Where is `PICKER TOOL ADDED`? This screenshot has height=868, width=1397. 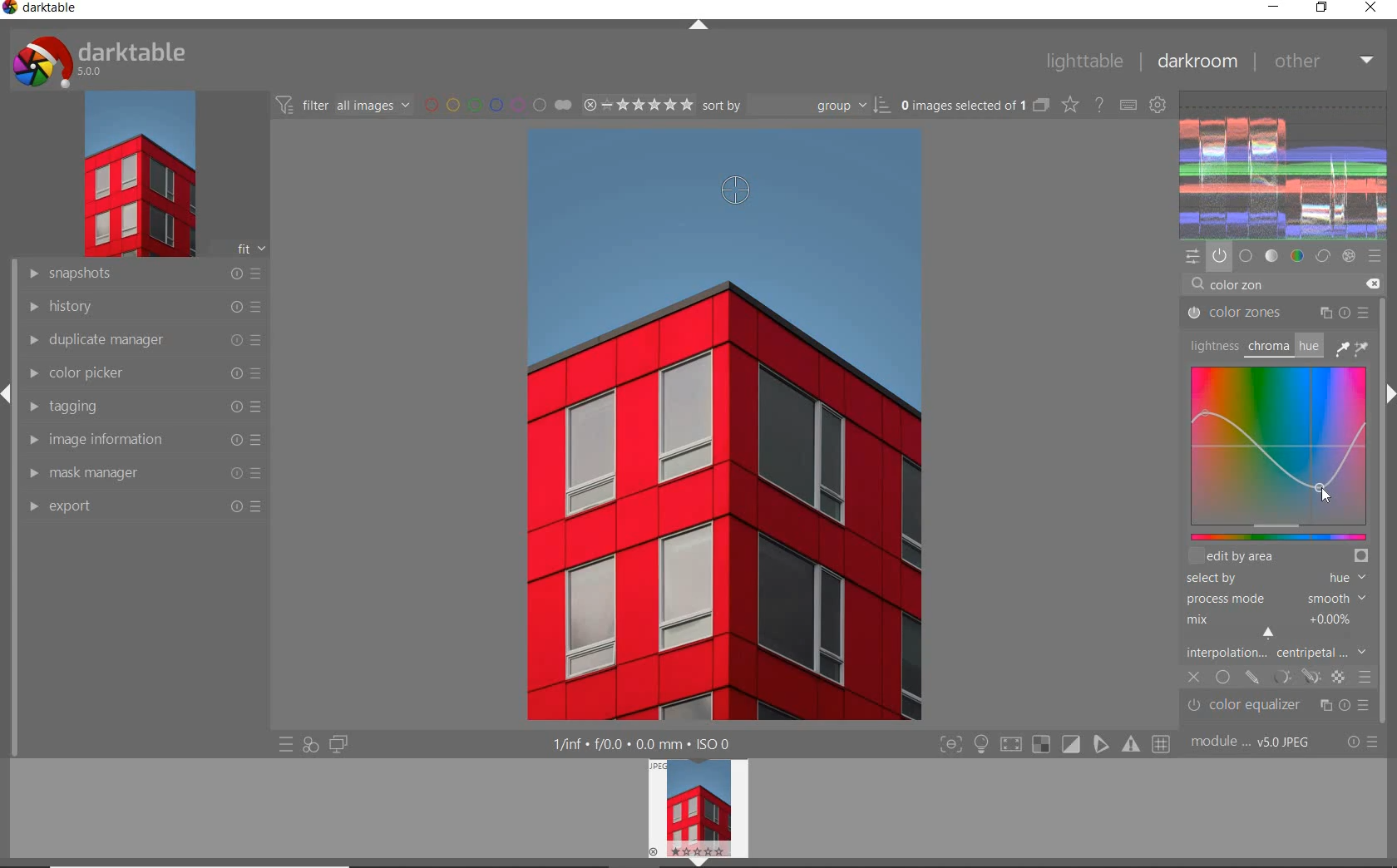 PICKER TOOL ADDED is located at coordinates (731, 191).